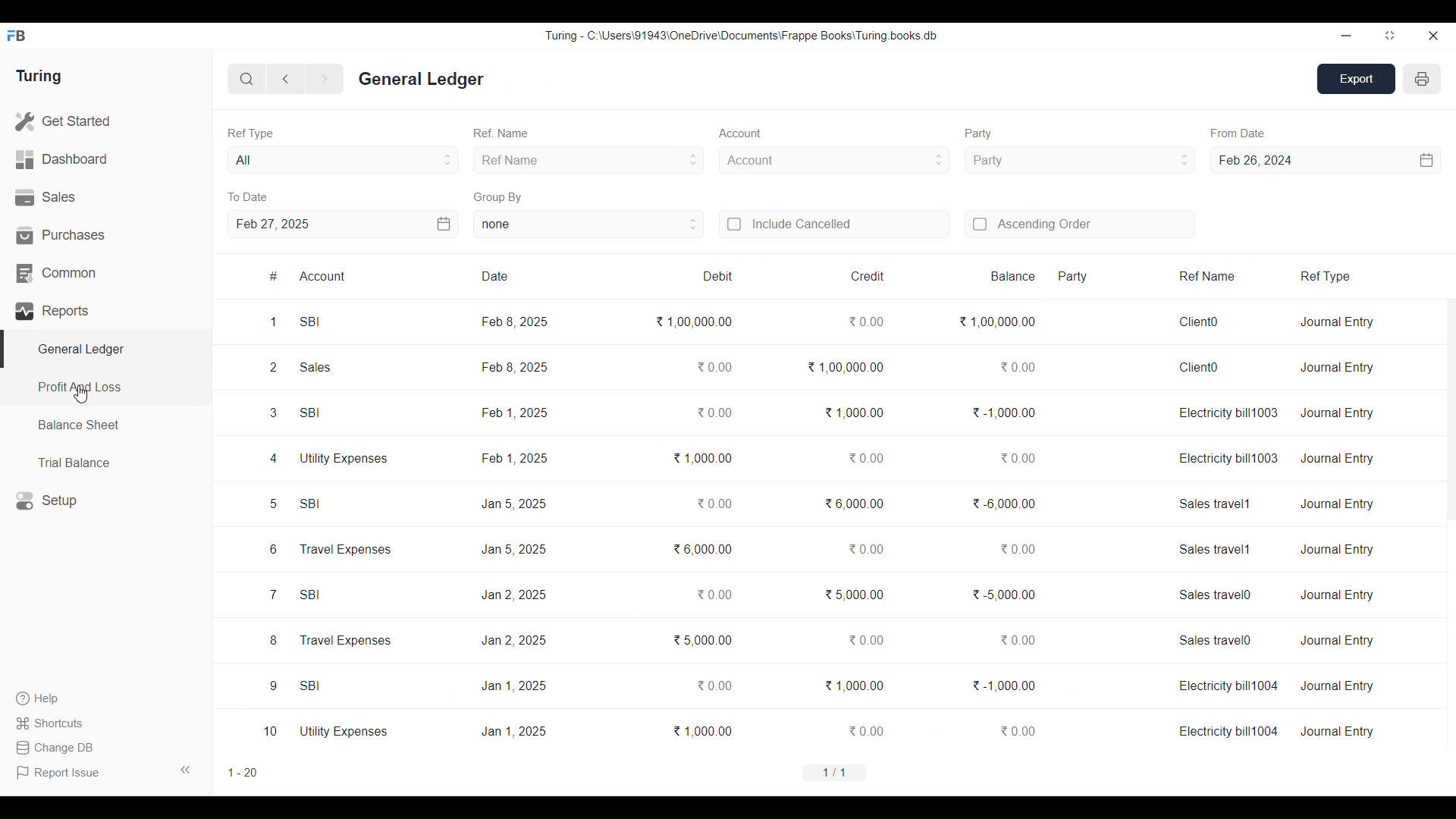 The width and height of the screenshot is (1456, 819). Describe the element at coordinates (1228, 413) in the screenshot. I see `Electricity bill1003` at that location.